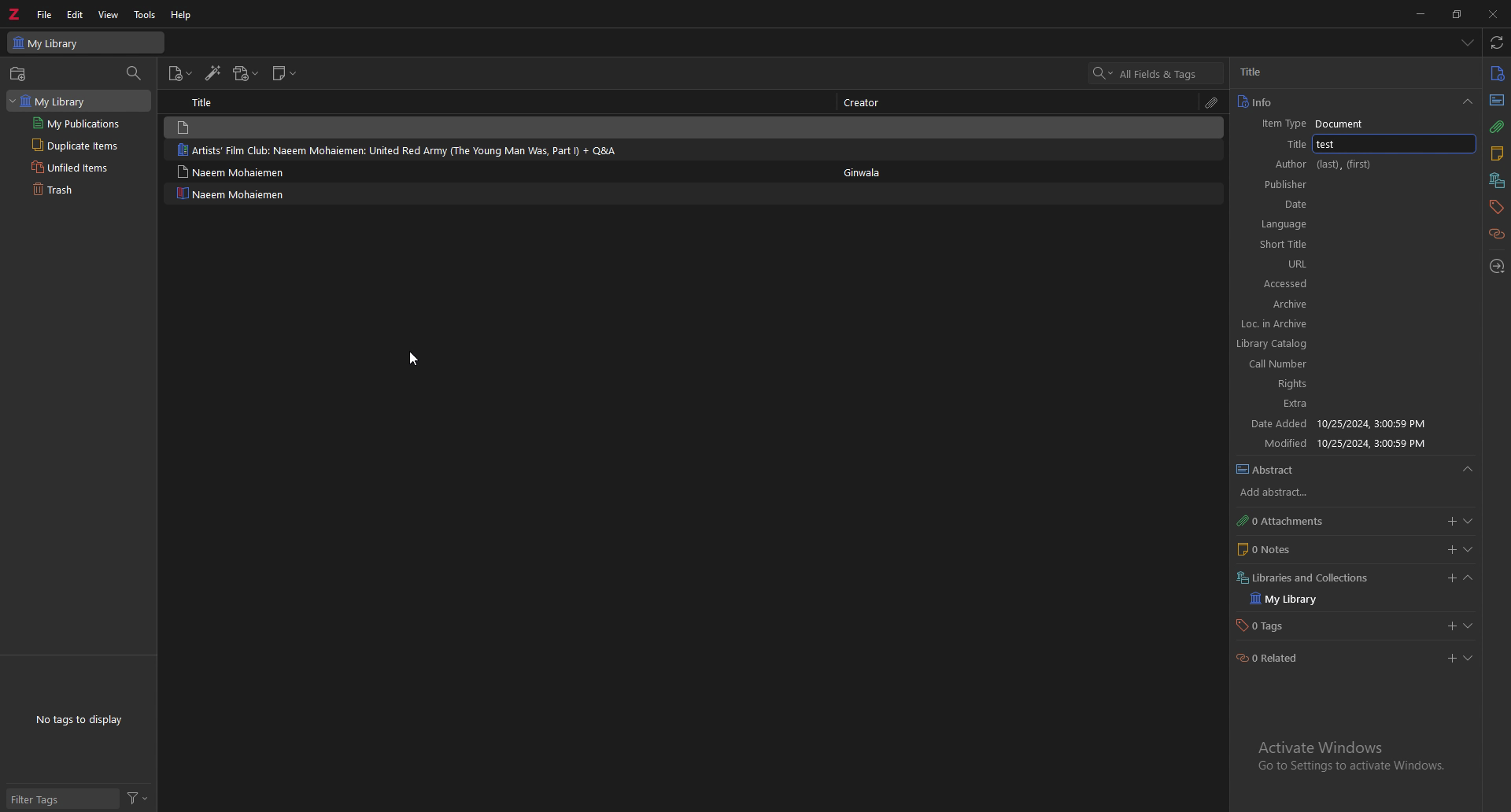 This screenshot has height=812, width=1511. I want to click on libraries and collections, so click(1498, 180).